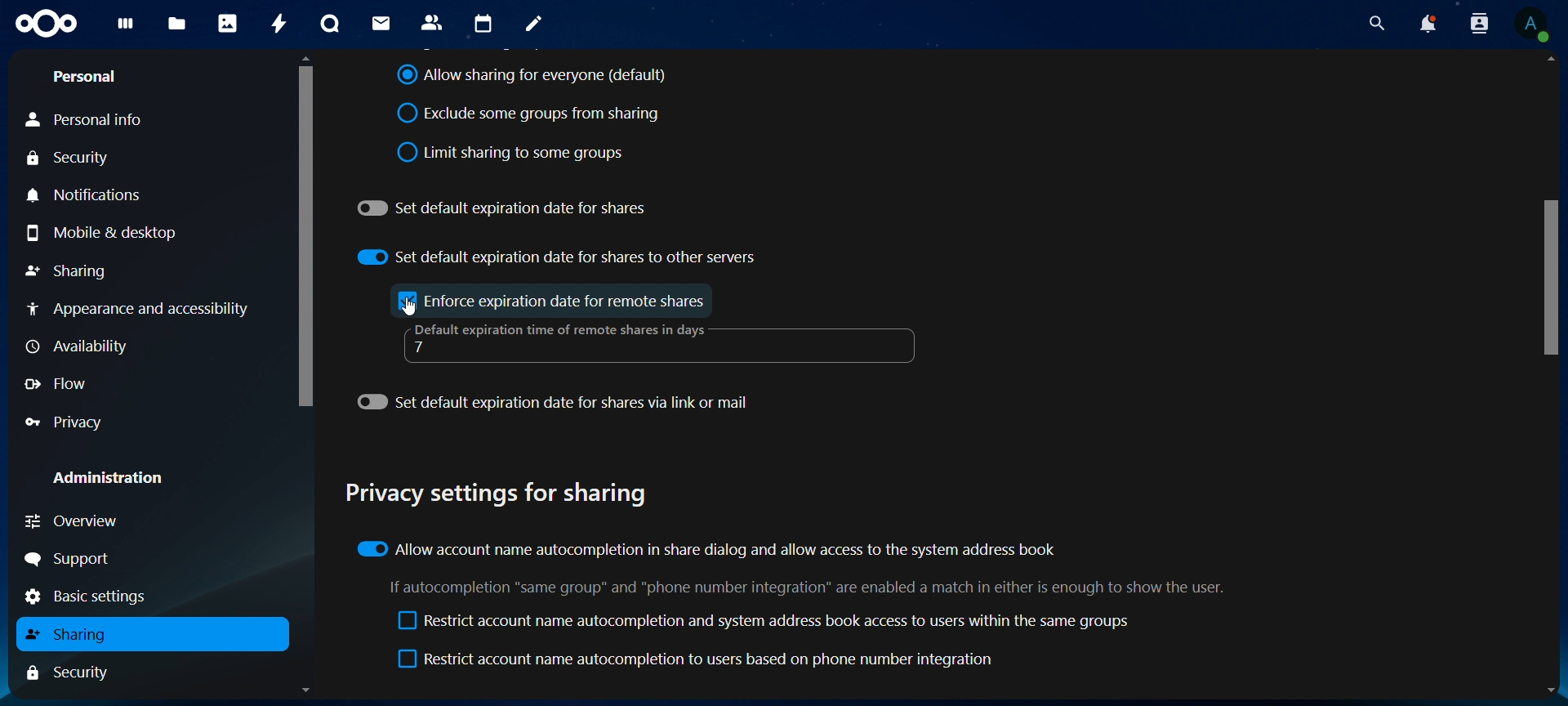 This screenshot has height=706, width=1568. I want to click on talk, so click(329, 22).